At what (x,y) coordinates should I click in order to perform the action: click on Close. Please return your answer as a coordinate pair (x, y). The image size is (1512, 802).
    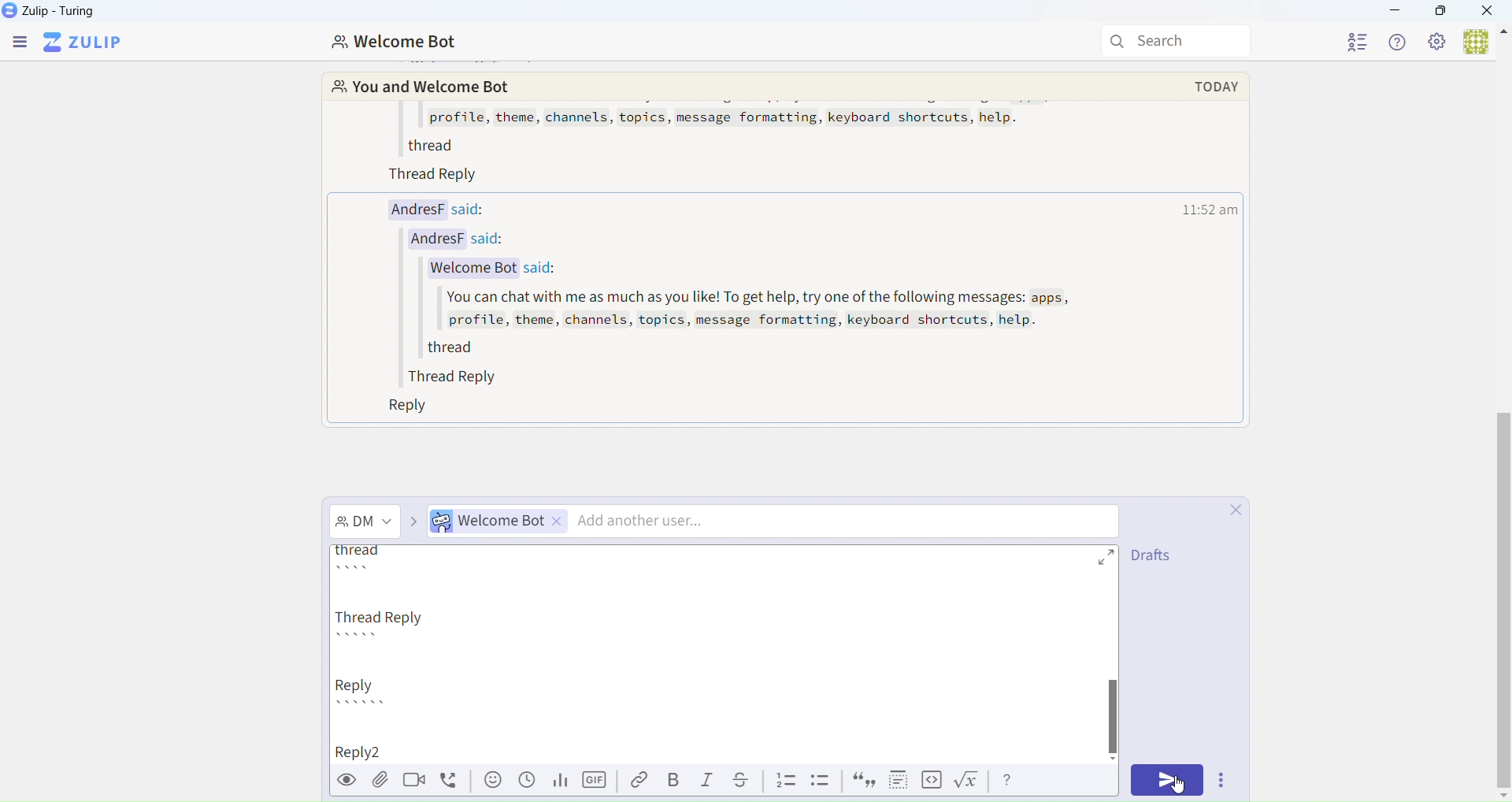
    Looking at the image, I should click on (1488, 12).